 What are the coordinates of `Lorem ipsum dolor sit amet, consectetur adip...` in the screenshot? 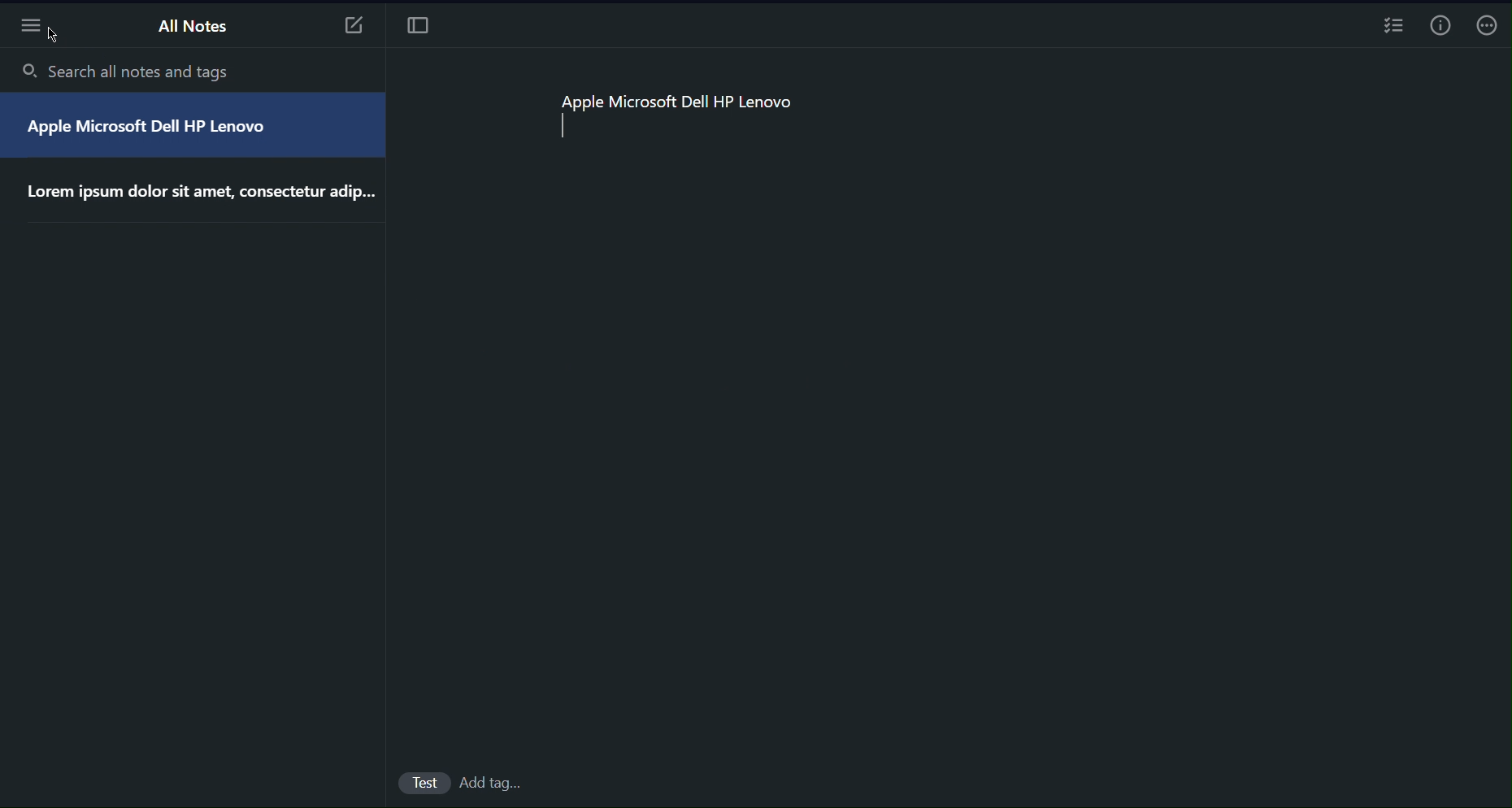 It's located at (197, 195).